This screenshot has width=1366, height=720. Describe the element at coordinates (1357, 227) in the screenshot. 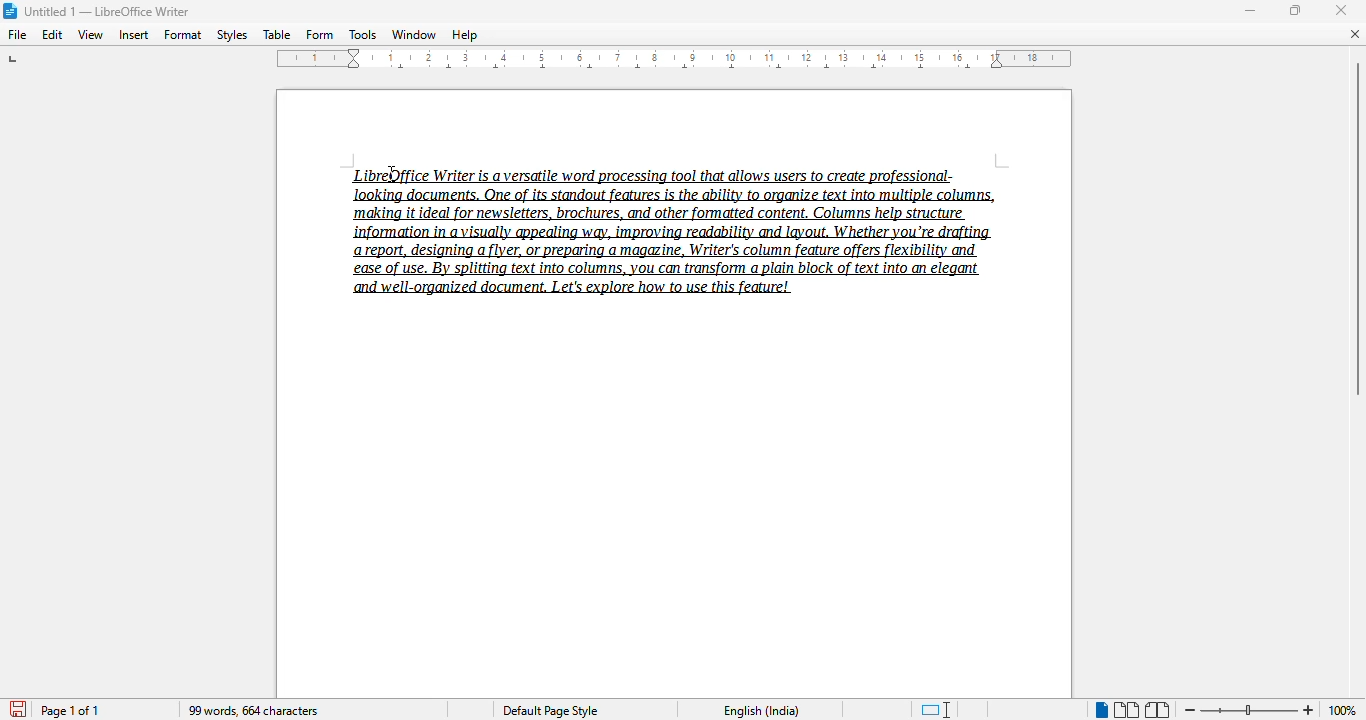

I see `vertical scroll bar` at that location.